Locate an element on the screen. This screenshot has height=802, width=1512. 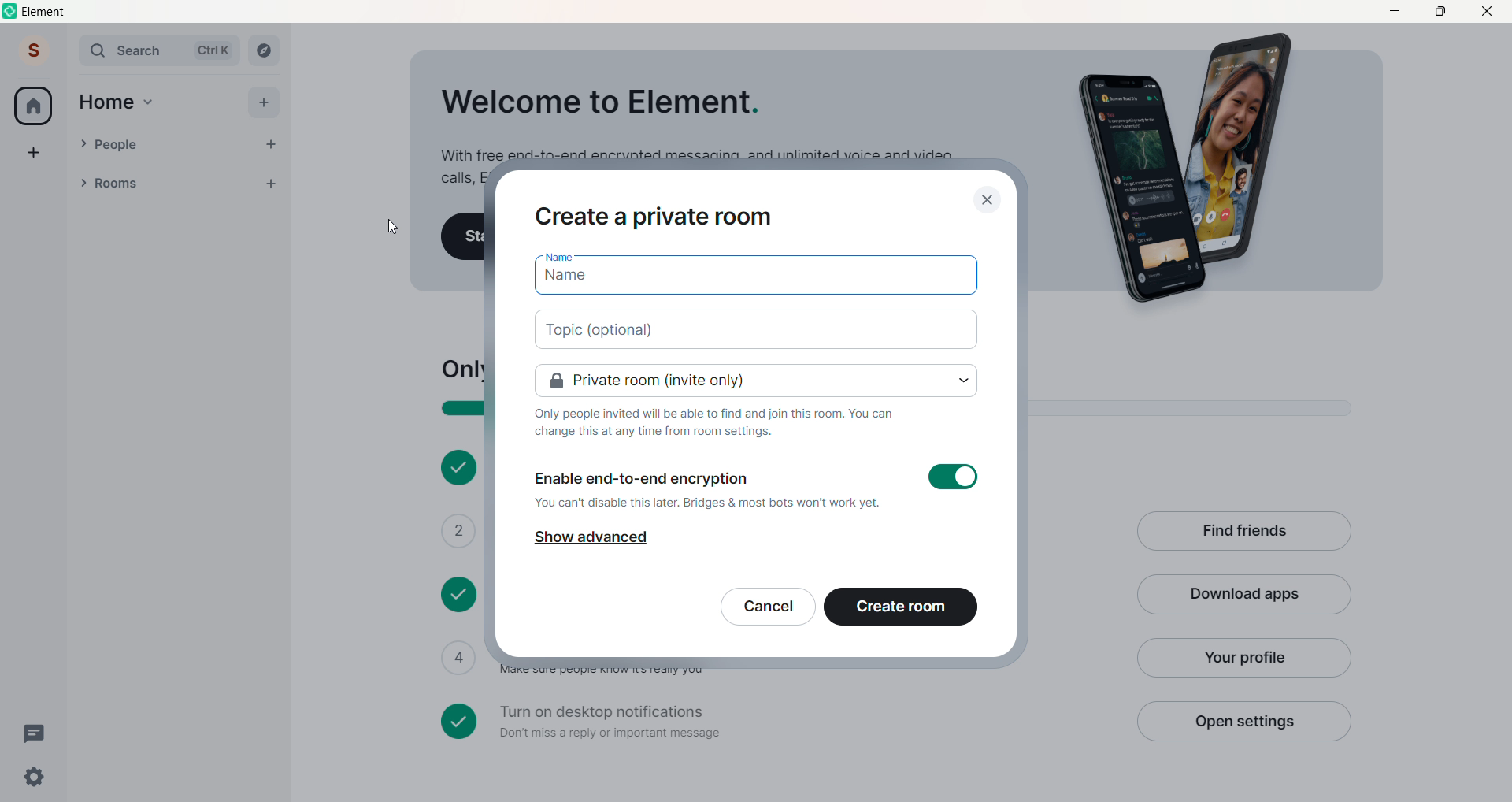
Create a Space is located at coordinates (34, 152).